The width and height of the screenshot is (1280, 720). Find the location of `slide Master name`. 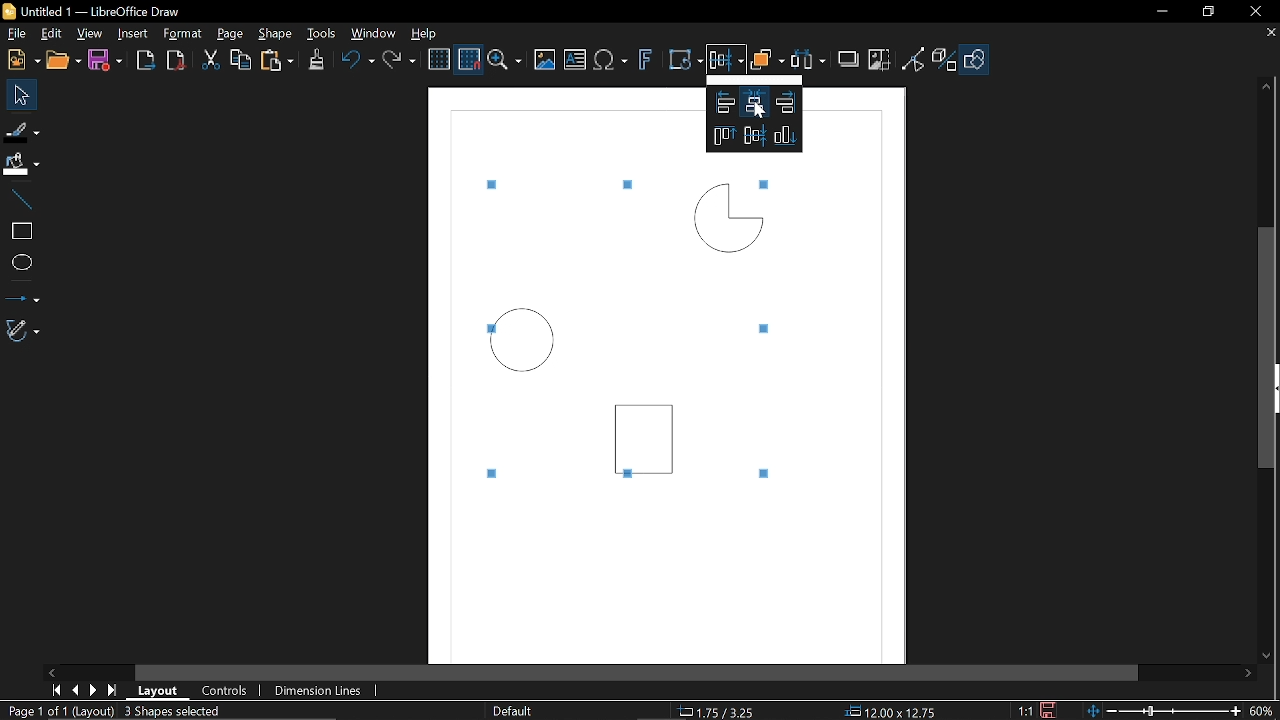

slide Master name is located at coordinates (514, 710).